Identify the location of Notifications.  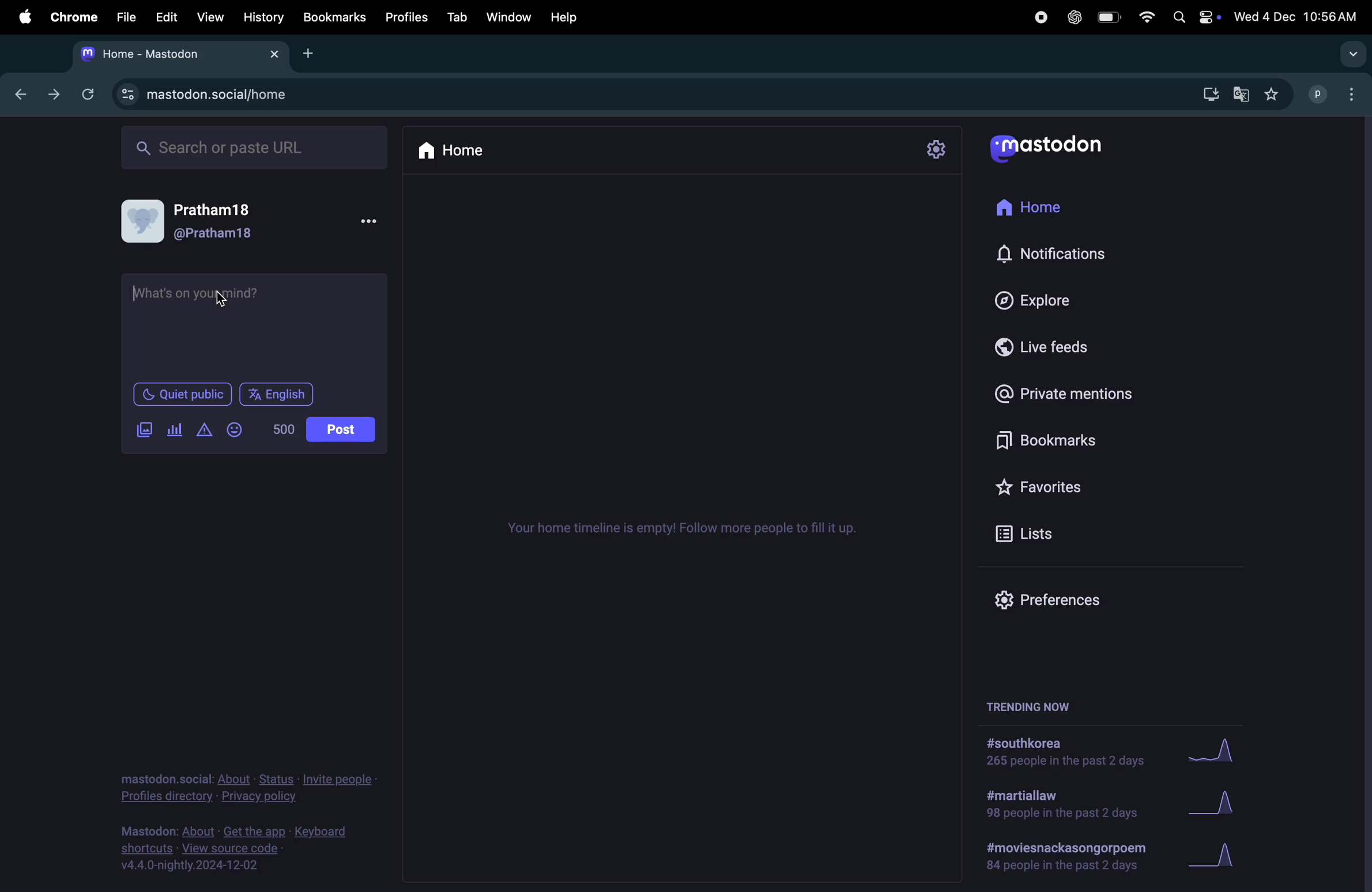
(1056, 255).